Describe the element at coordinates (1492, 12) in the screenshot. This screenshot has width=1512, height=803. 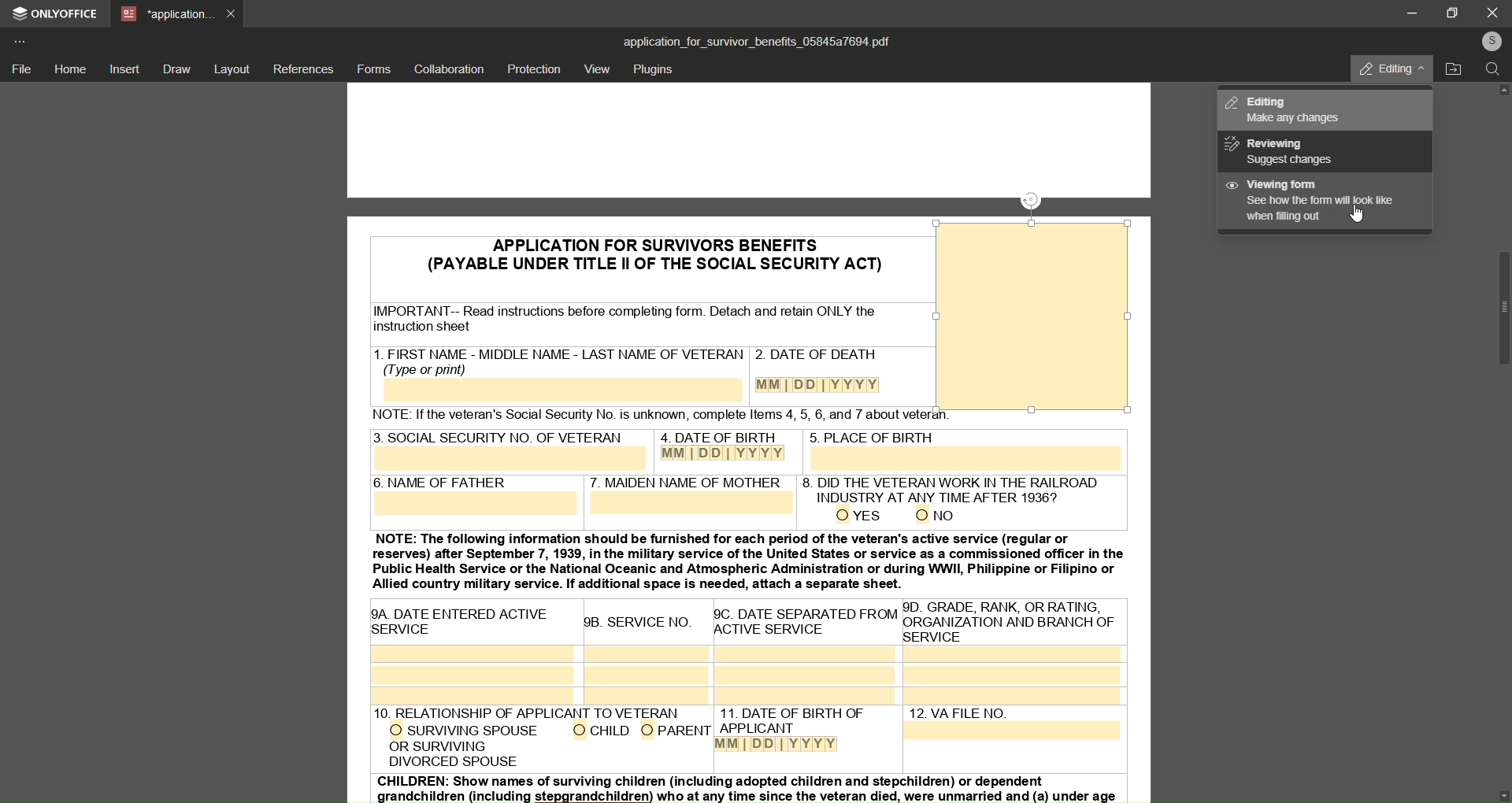
I see `close` at that location.